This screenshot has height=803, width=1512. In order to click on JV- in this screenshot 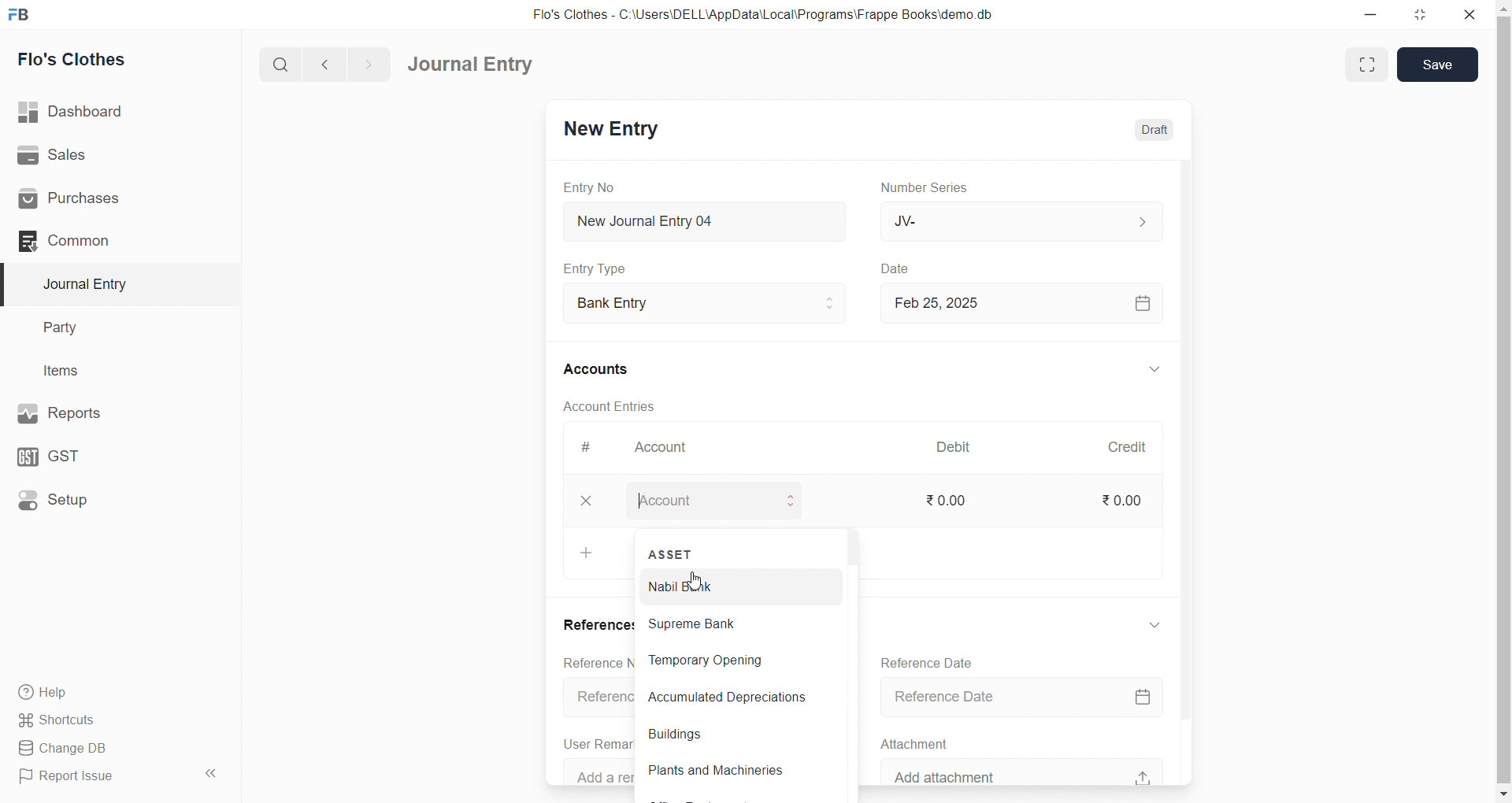, I will do `click(1027, 220)`.